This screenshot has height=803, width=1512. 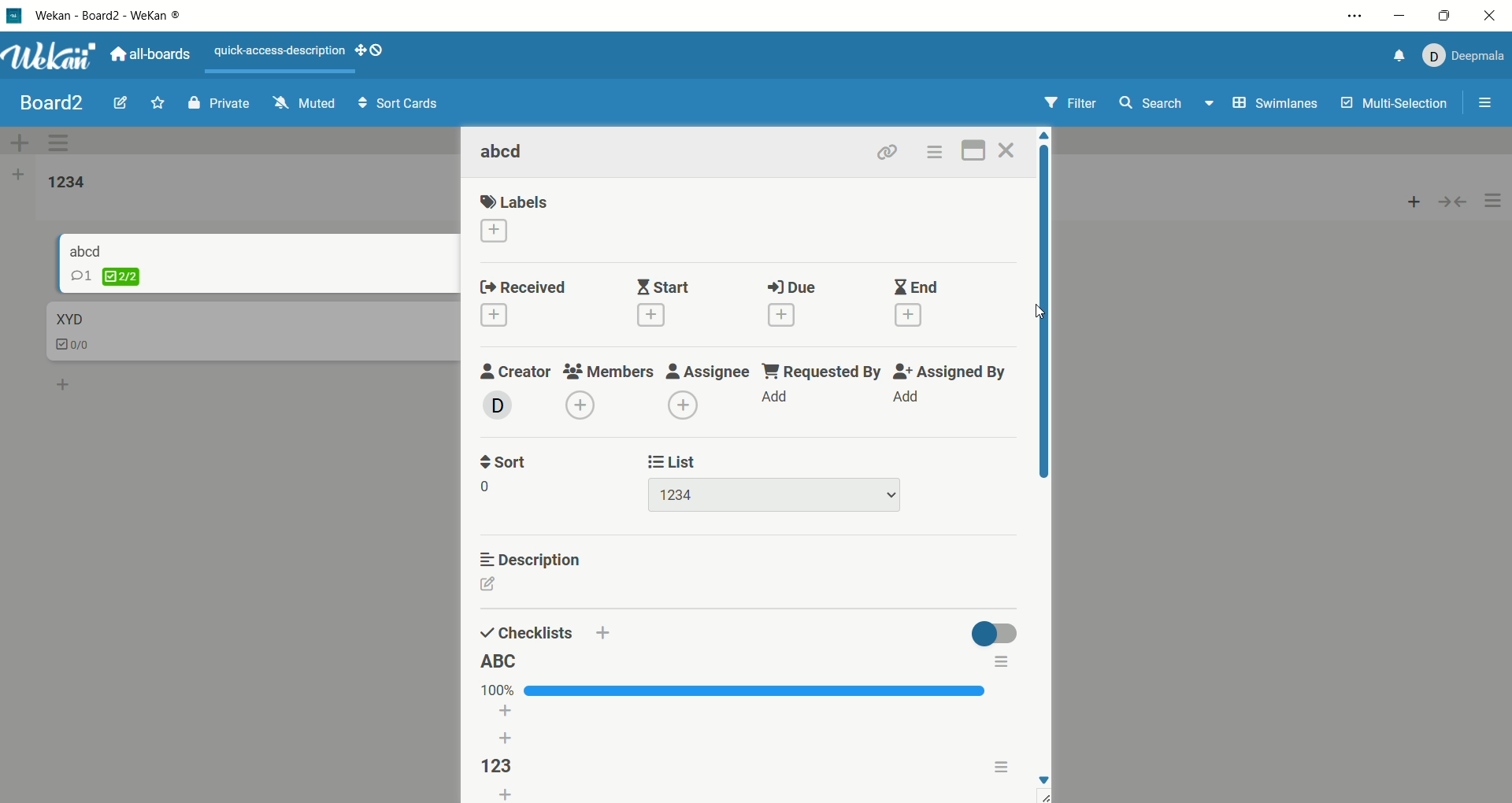 What do you see at coordinates (650, 316) in the screenshot?
I see `add` at bounding box center [650, 316].